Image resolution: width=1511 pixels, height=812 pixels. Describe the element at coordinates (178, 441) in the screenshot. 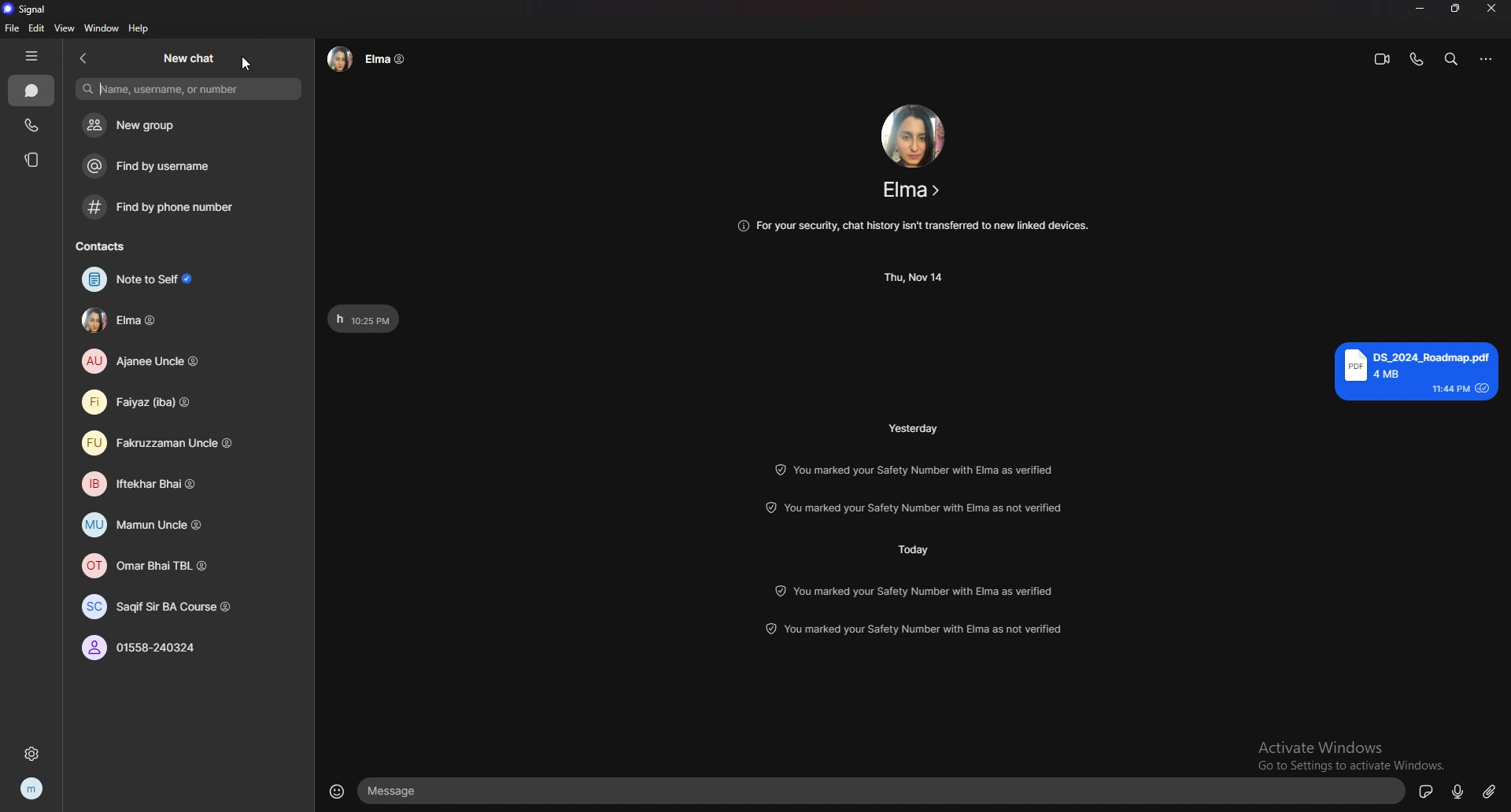

I see `contact` at that location.